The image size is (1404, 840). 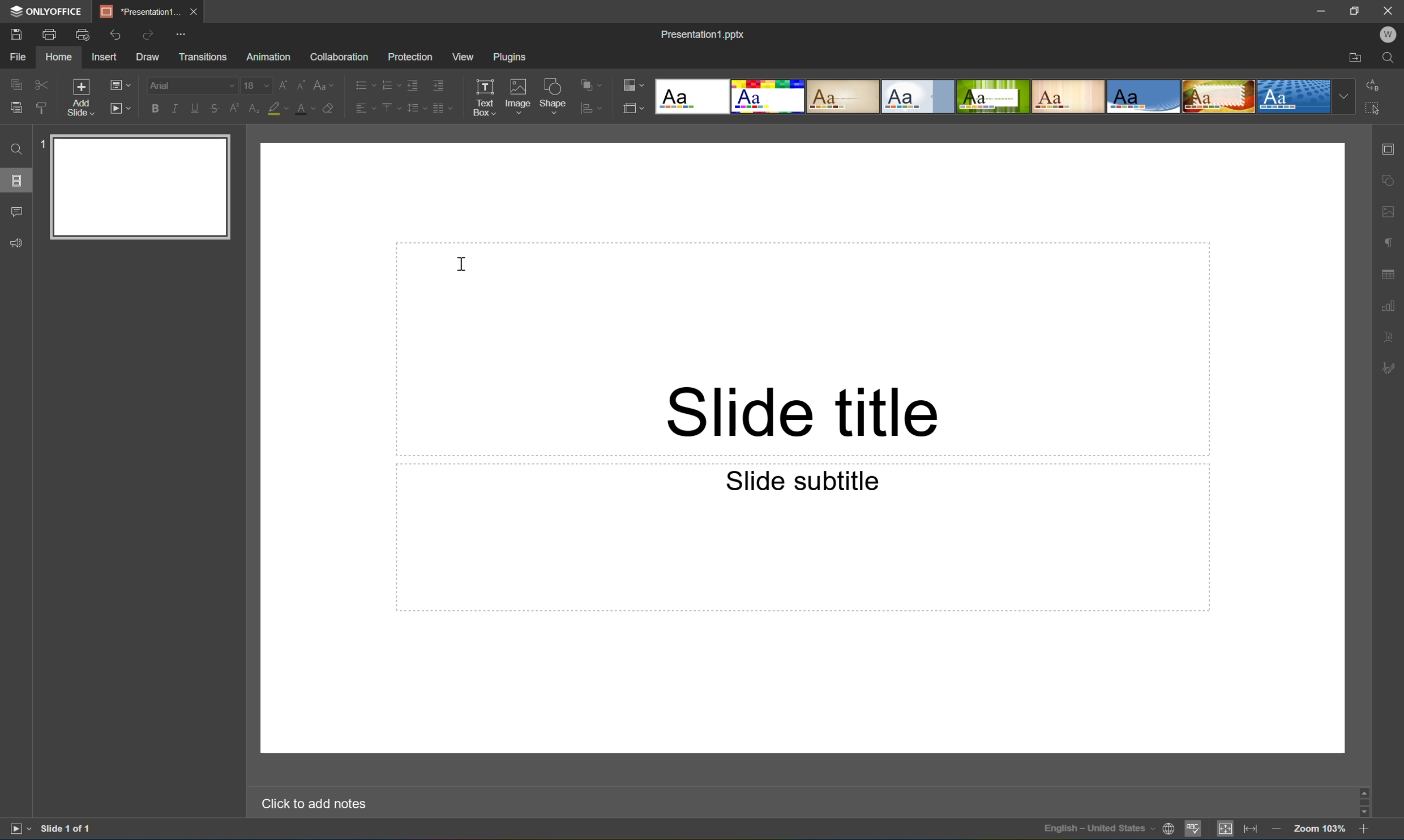 I want to click on Bullets, so click(x=365, y=82).